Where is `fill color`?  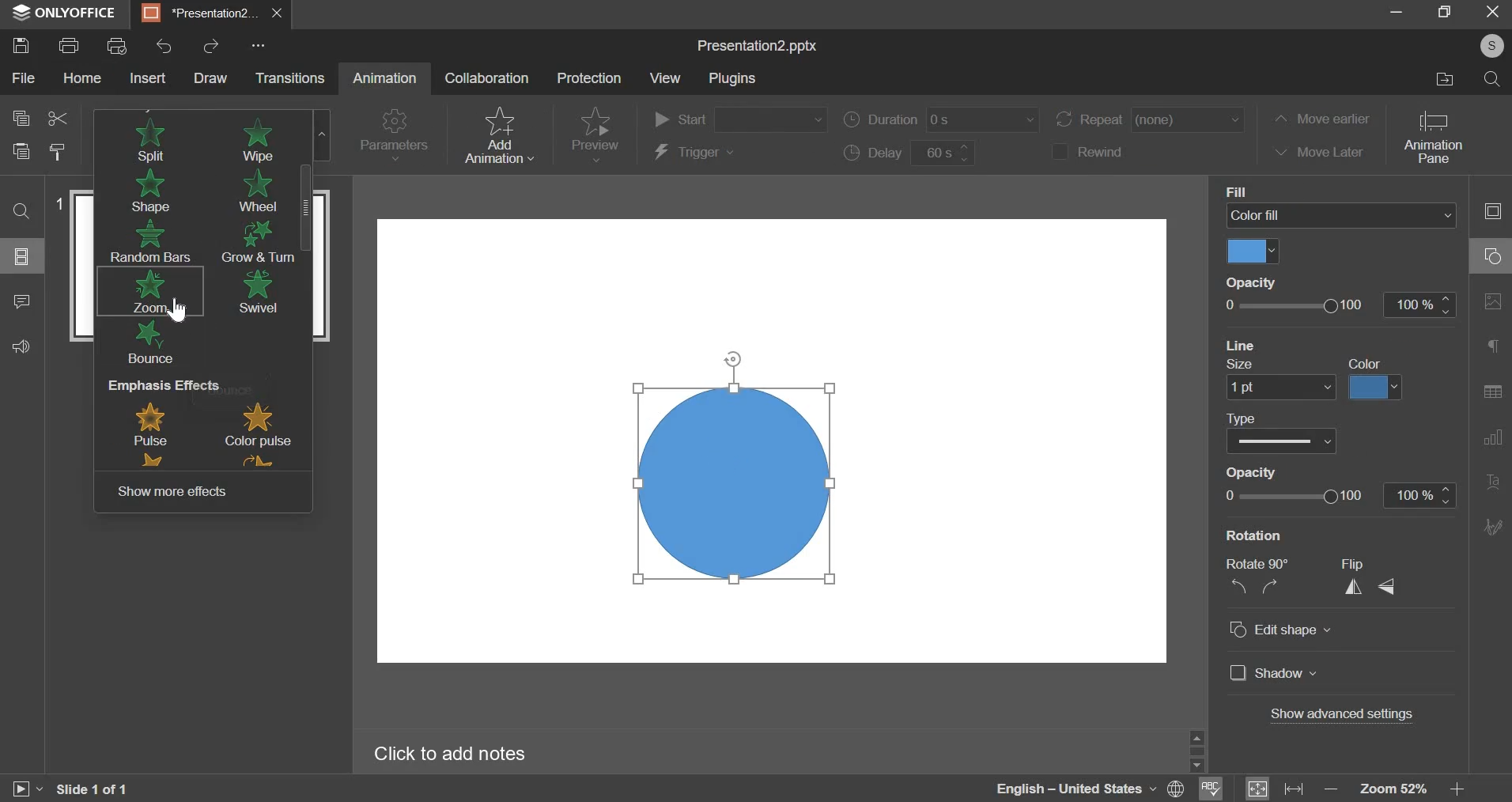 fill color is located at coordinates (1253, 252).